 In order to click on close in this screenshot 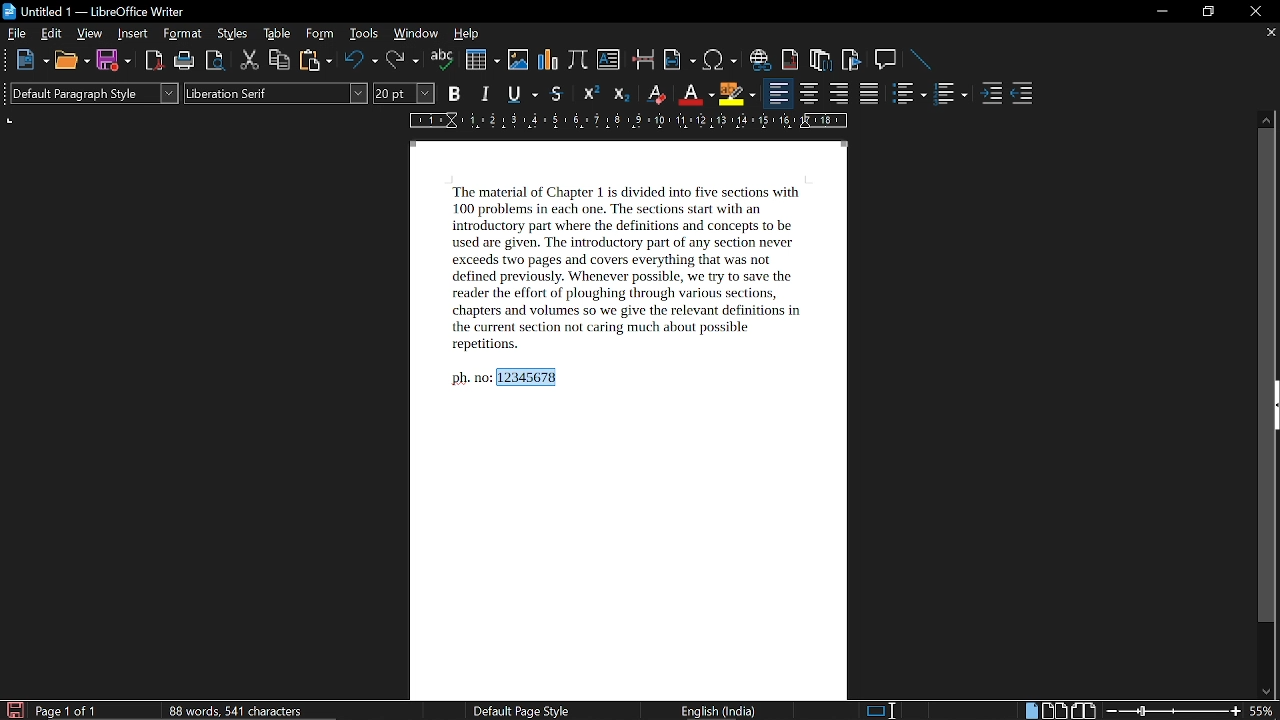, I will do `click(1257, 11)`.